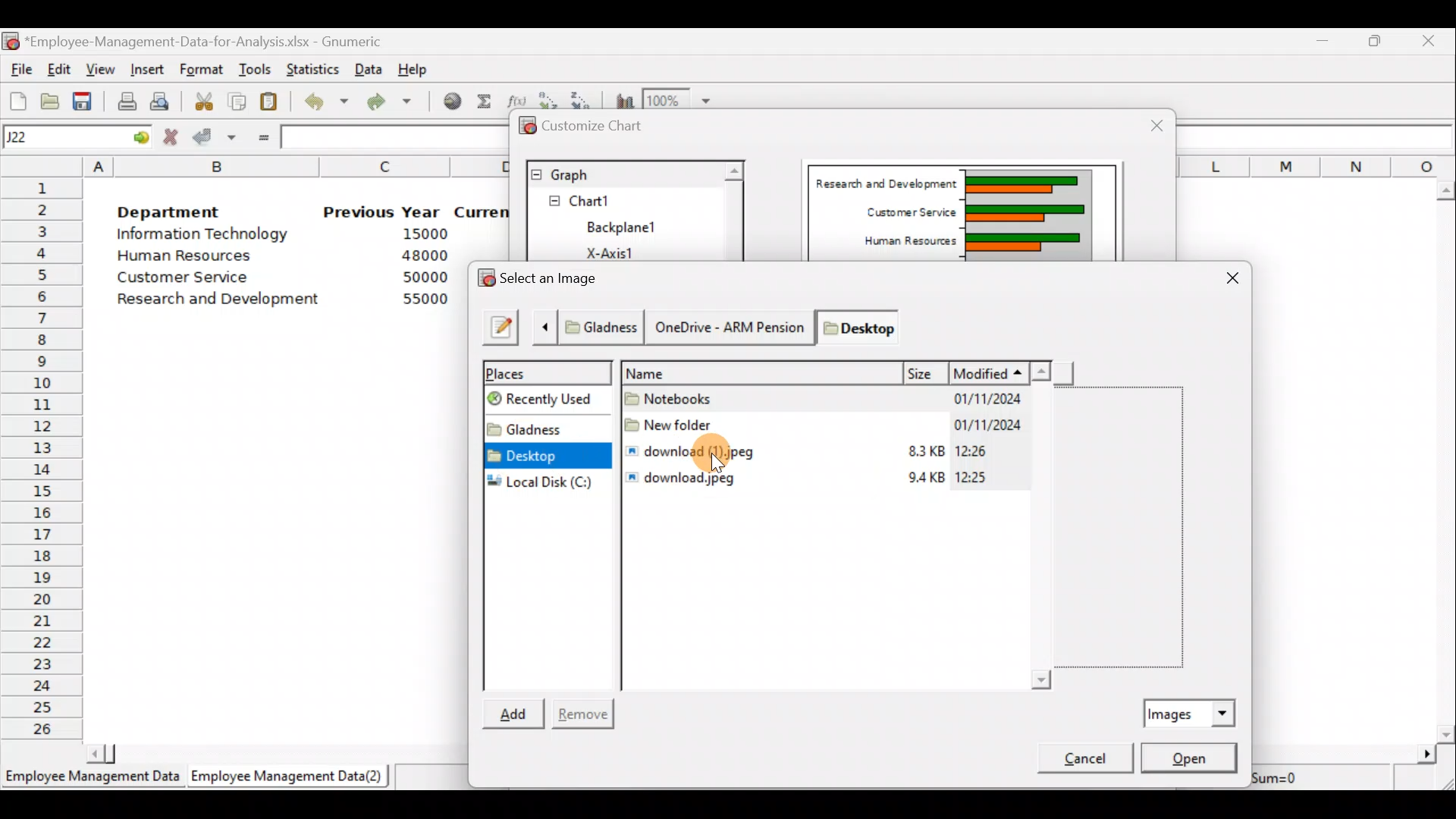 This screenshot has width=1456, height=819. I want to click on Human Resources, so click(899, 242).